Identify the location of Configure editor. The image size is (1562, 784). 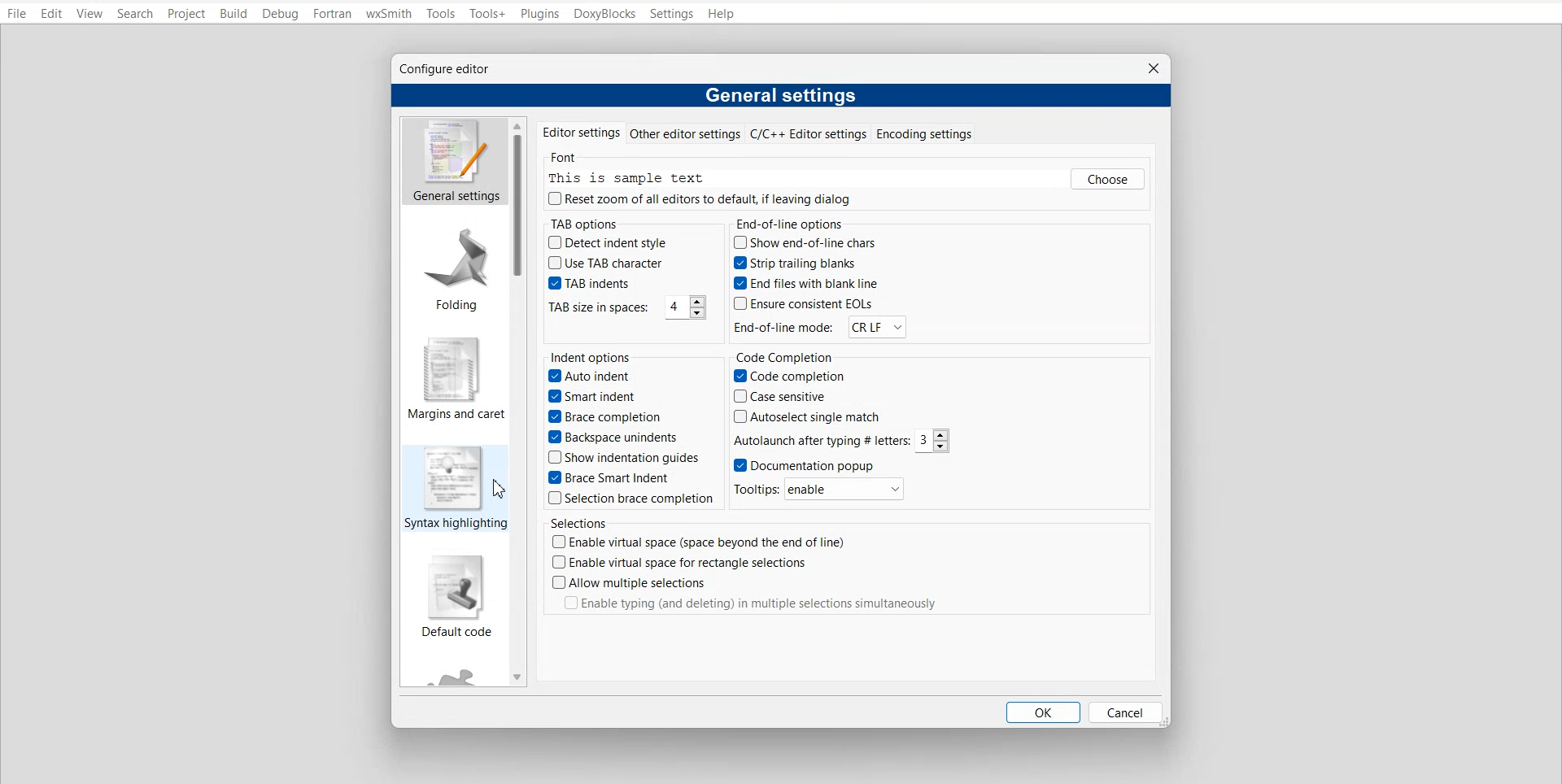
(455, 71).